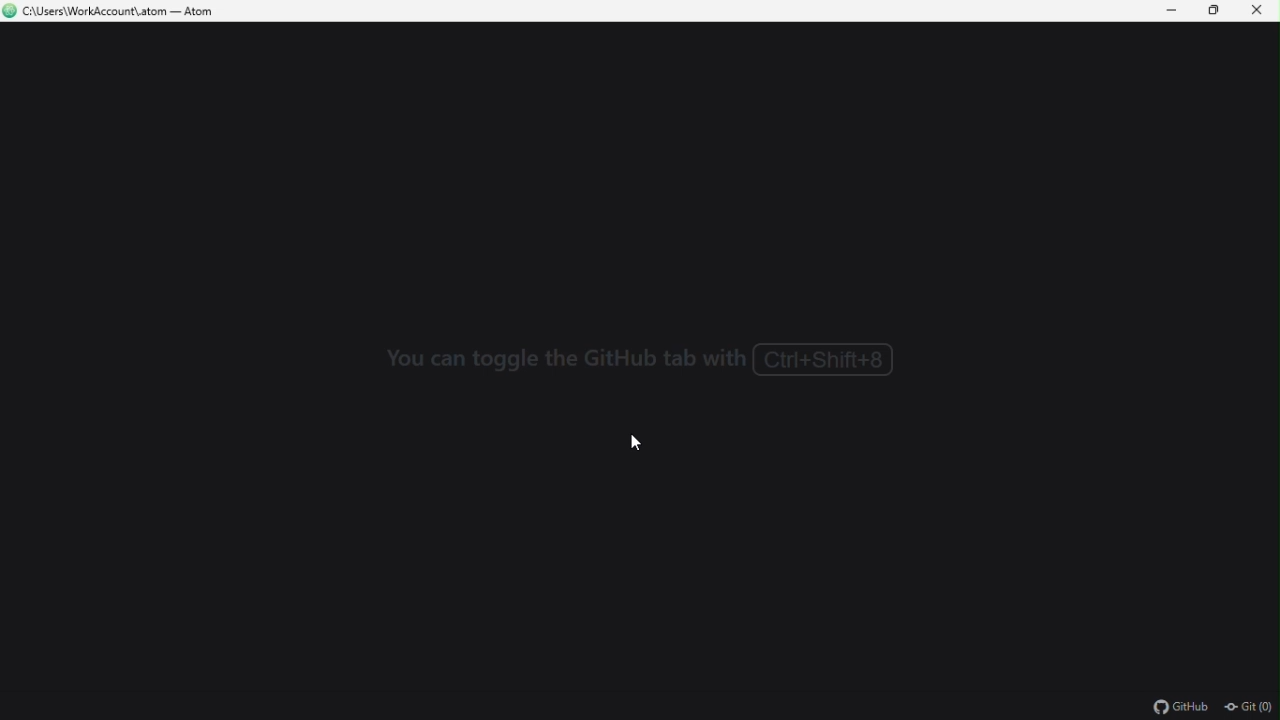 Image resolution: width=1280 pixels, height=720 pixels. I want to click on minimize, so click(1176, 11).